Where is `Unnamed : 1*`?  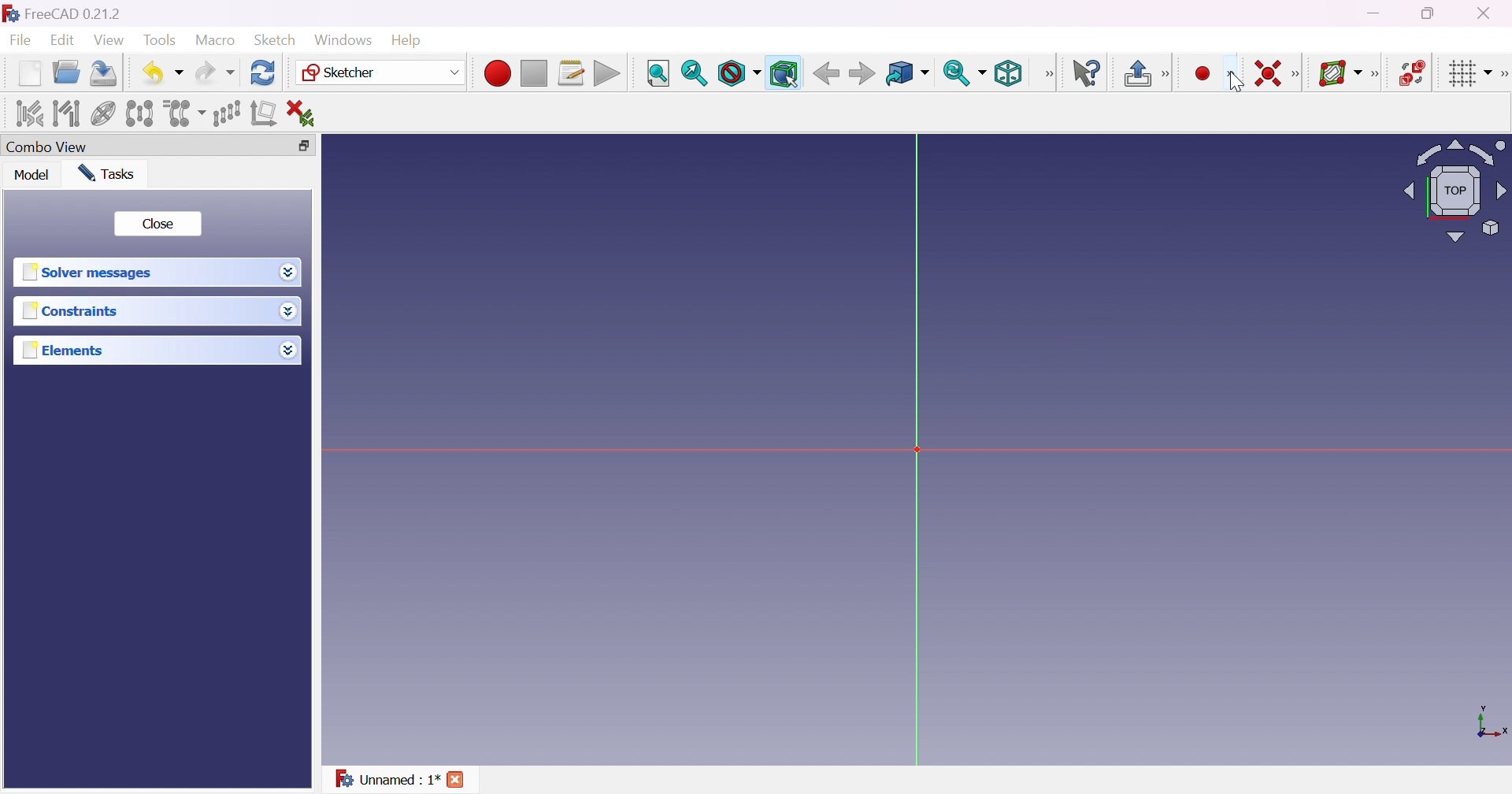 Unnamed : 1* is located at coordinates (386, 777).